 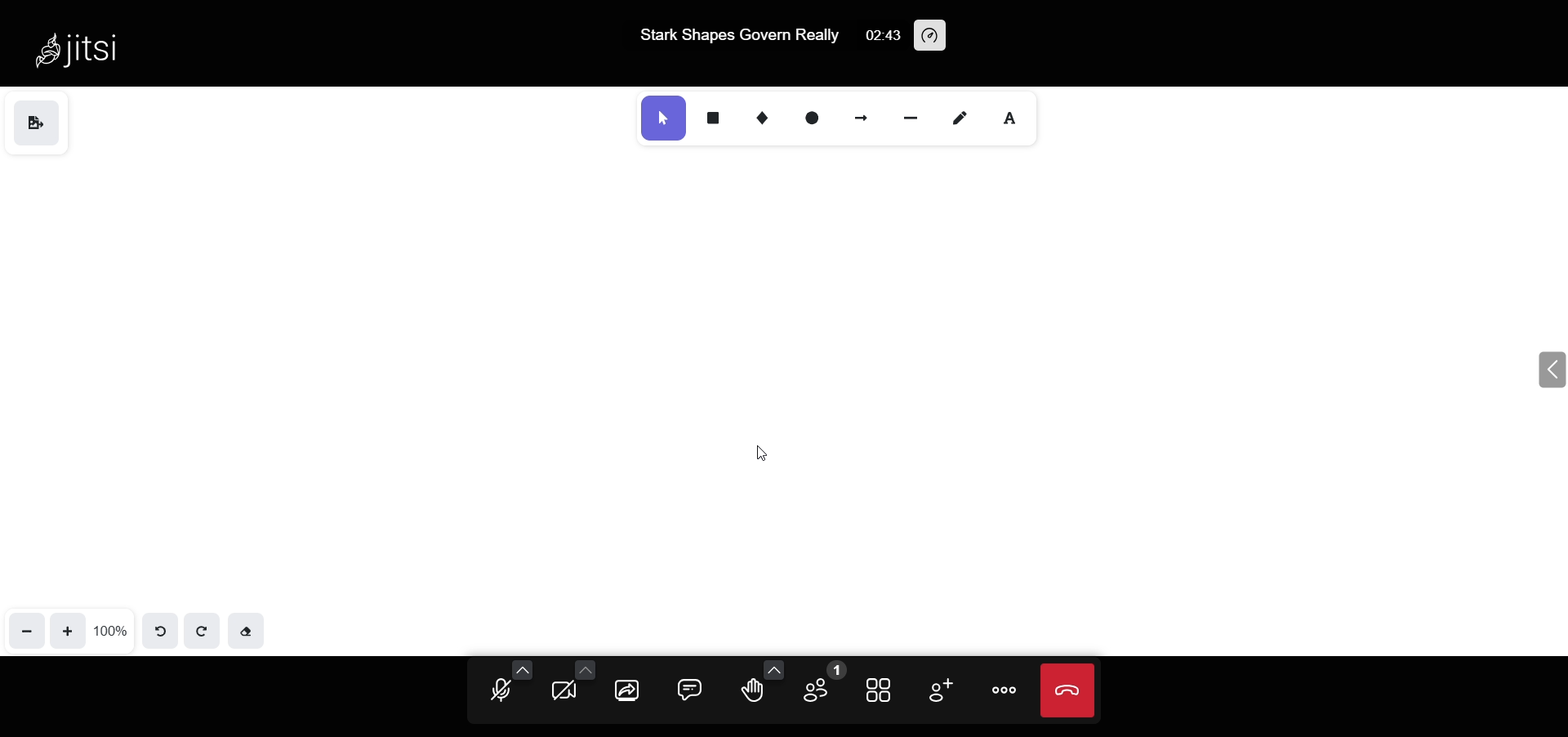 What do you see at coordinates (663, 118) in the screenshot?
I see `select` at bounding box center [663, 118].